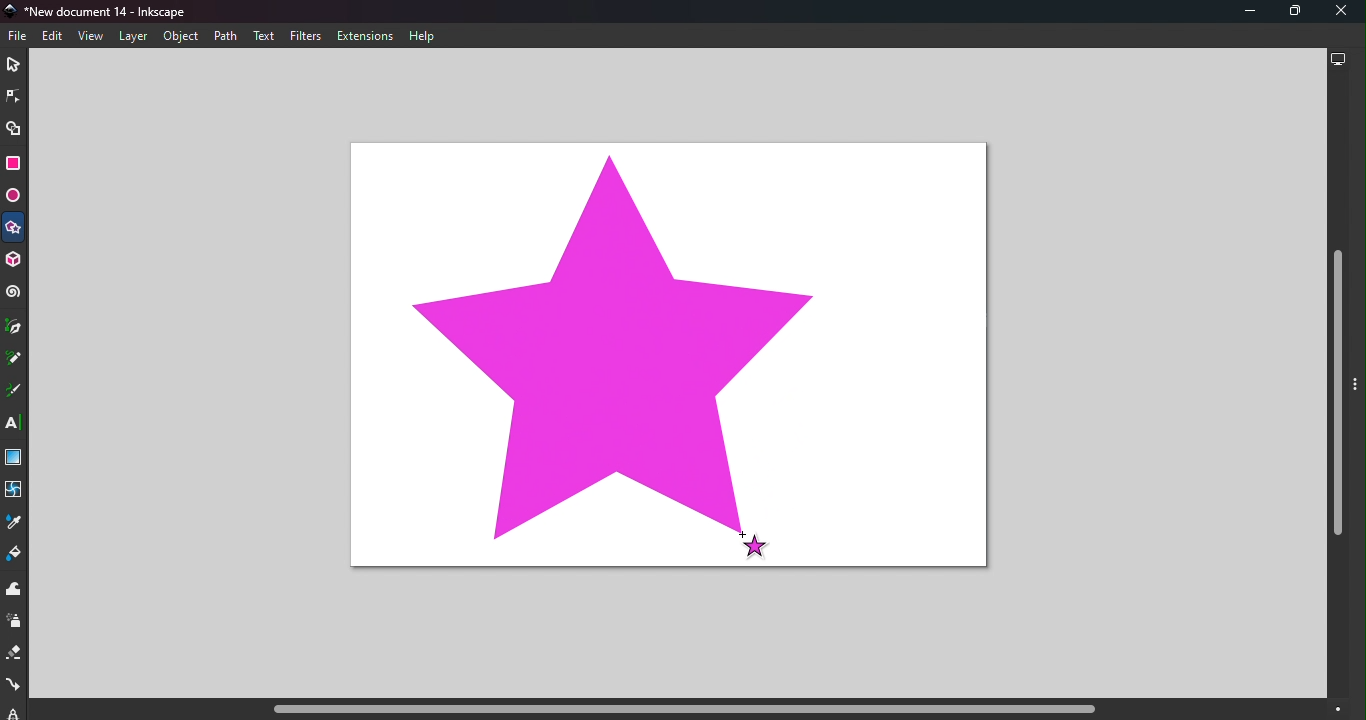 This screenshot has width=1366, height=720. I want to click on Layers, so click(132, 37).